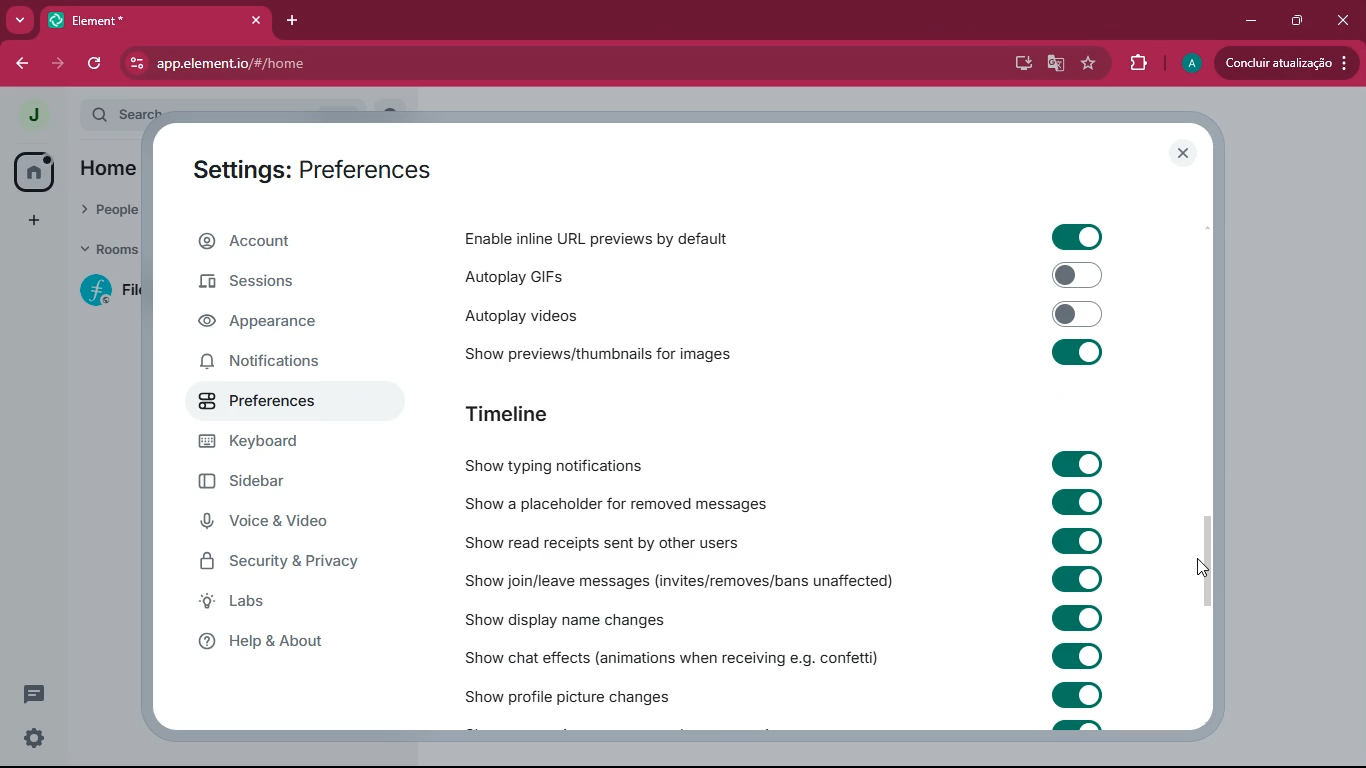 The height and width of the screenshot is (768, 1366). What do you see at coordinates (107, 290) in the screenshot?
I see `filecoin lotus implementation` at bounding box center [107, 290].